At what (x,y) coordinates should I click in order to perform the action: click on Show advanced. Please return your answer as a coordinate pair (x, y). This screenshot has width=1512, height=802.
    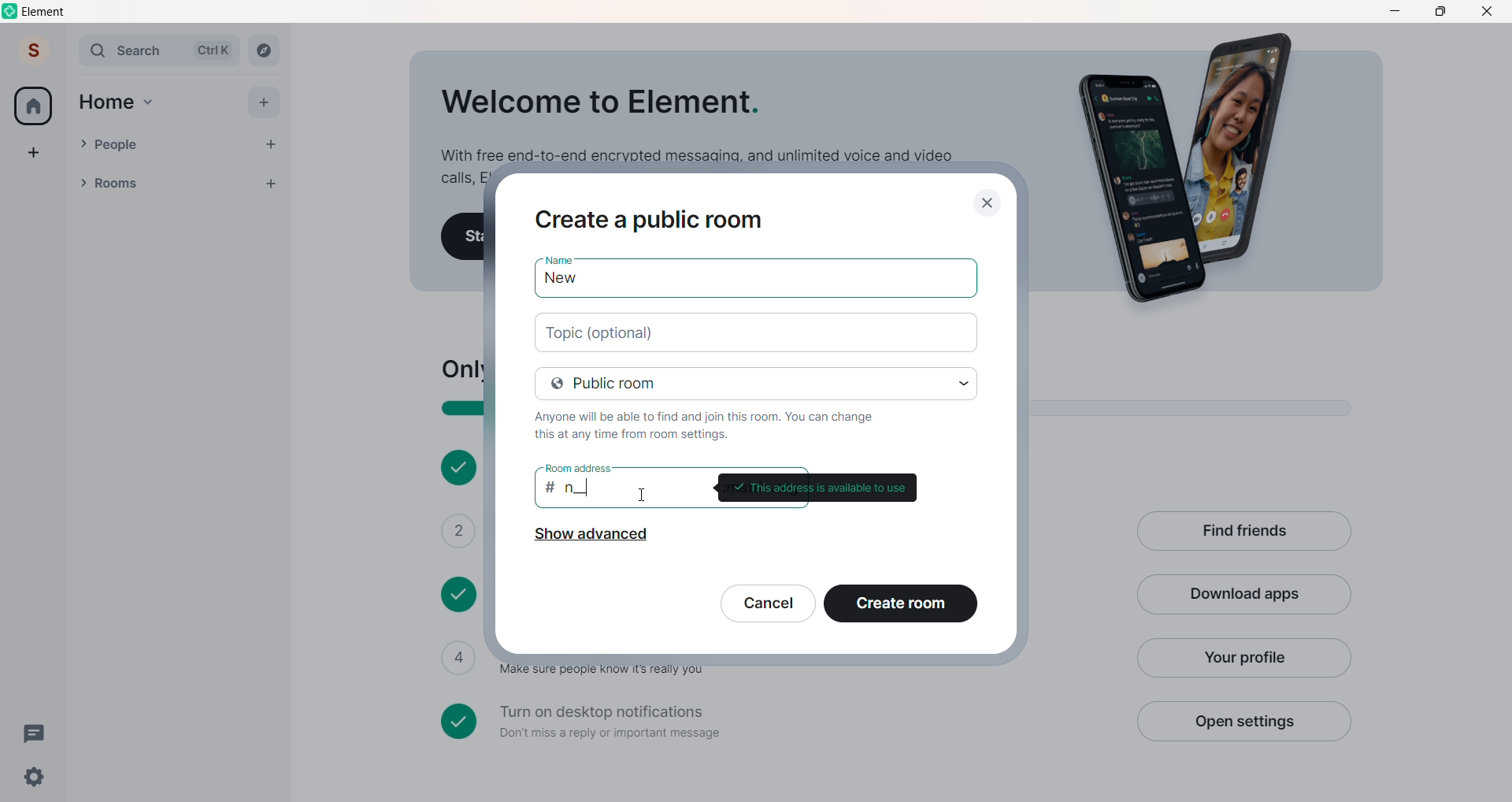
    Looking at the image, I should click on (590, 538).